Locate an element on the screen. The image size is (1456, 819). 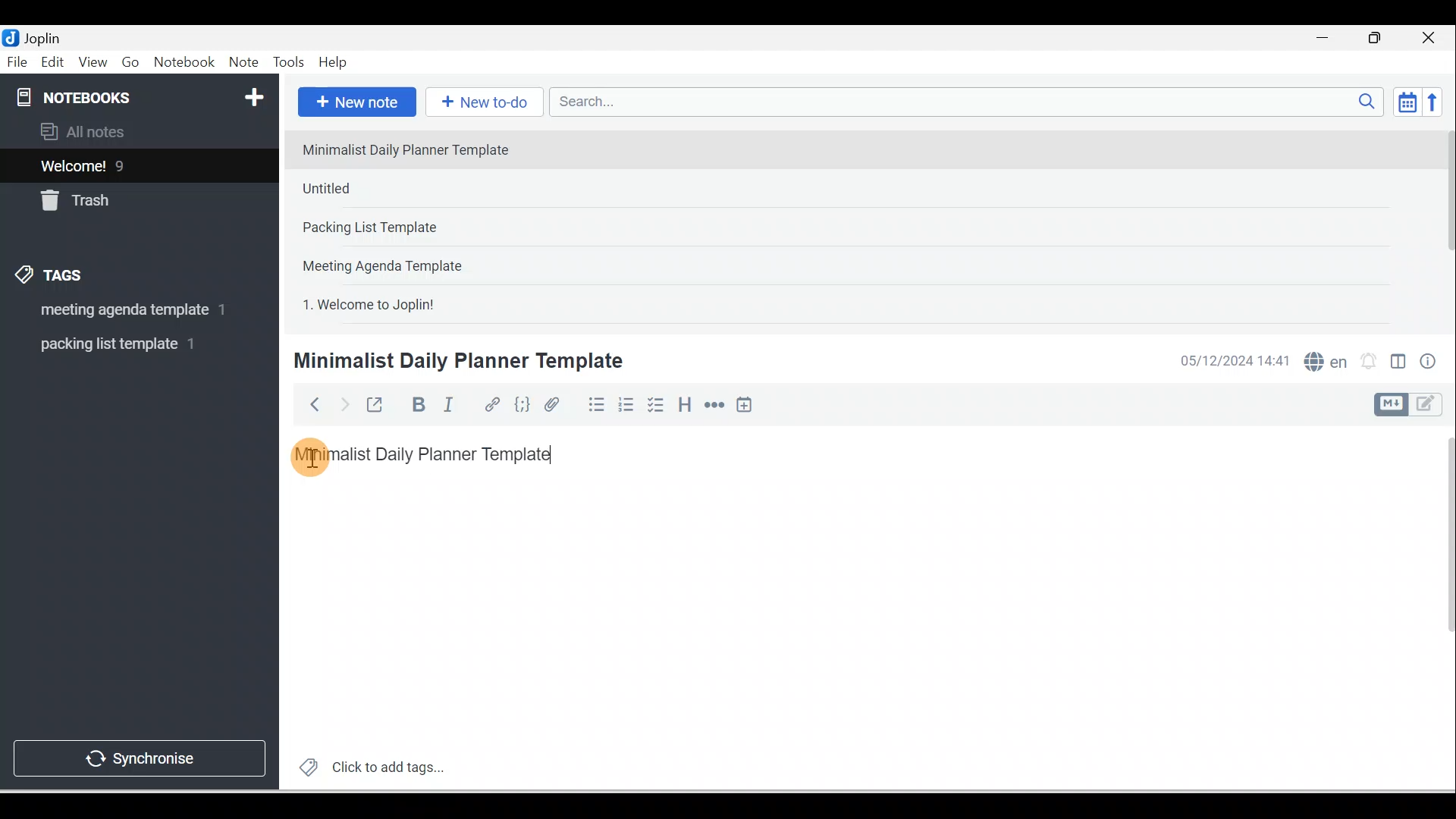
Go is located at coordinates (133, 63).